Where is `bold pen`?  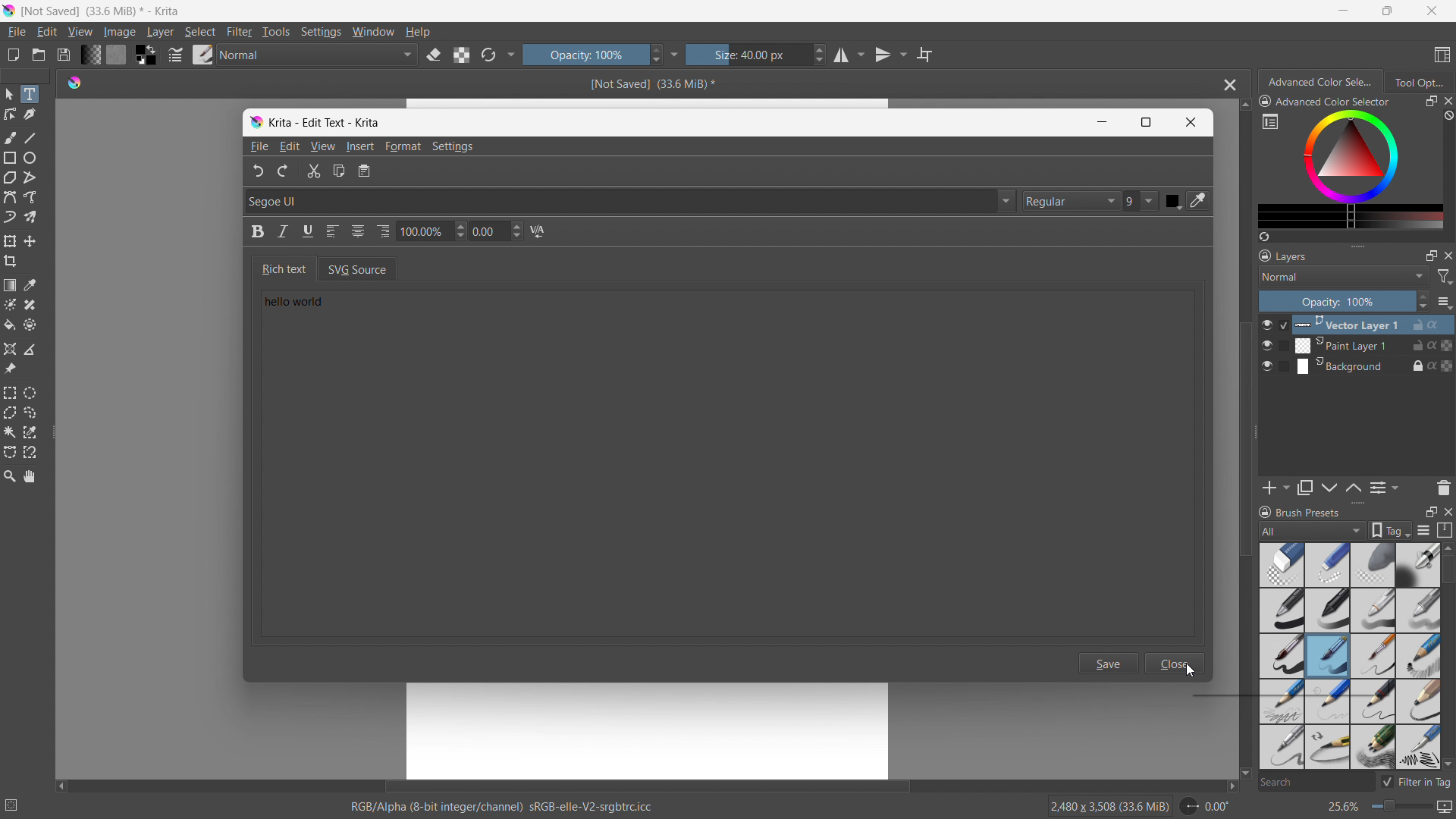
bold pen is located at coordinates (1281, 611).